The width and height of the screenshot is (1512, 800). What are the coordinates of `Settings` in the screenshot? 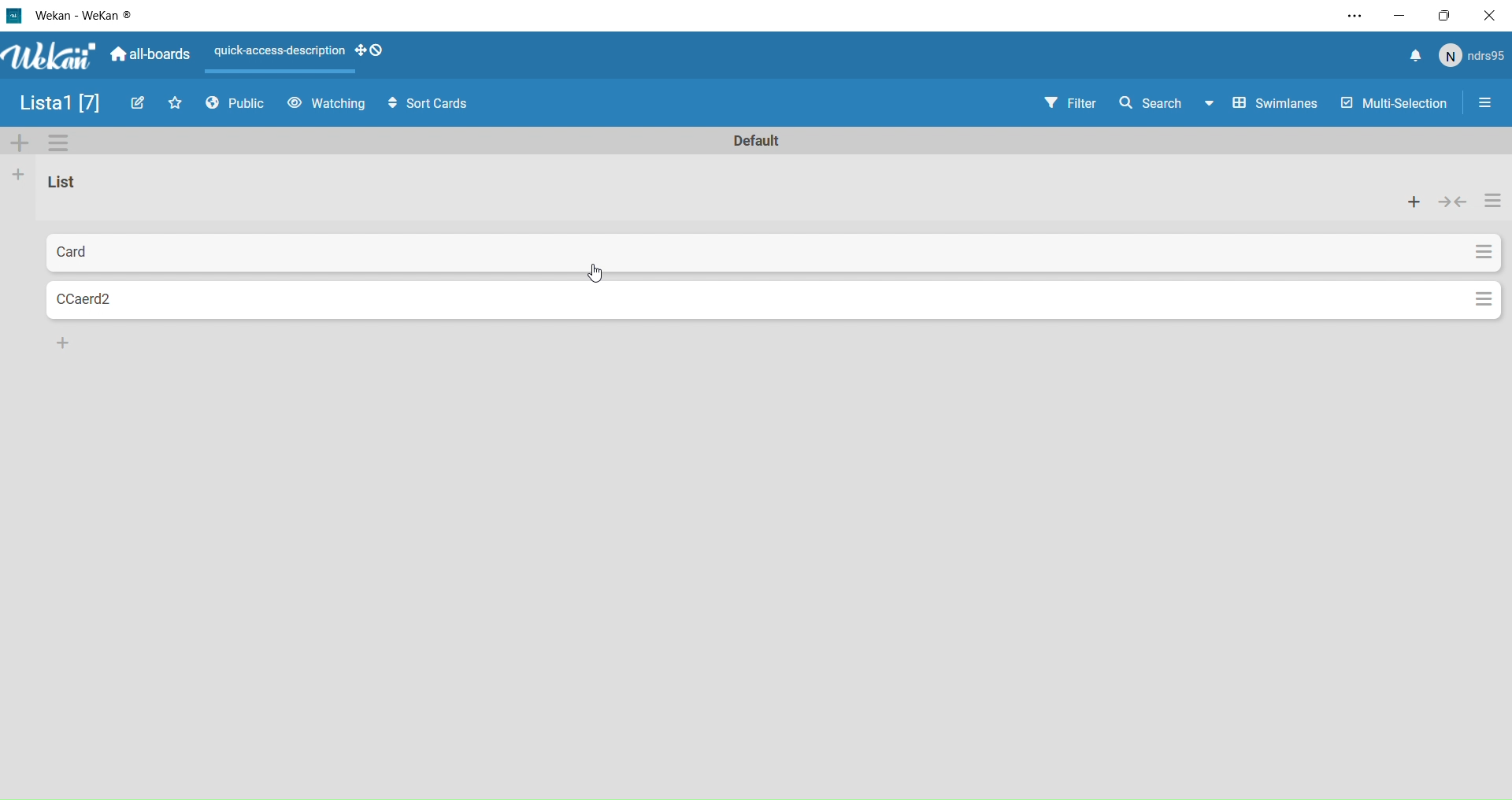 It's located at (1485, 253).